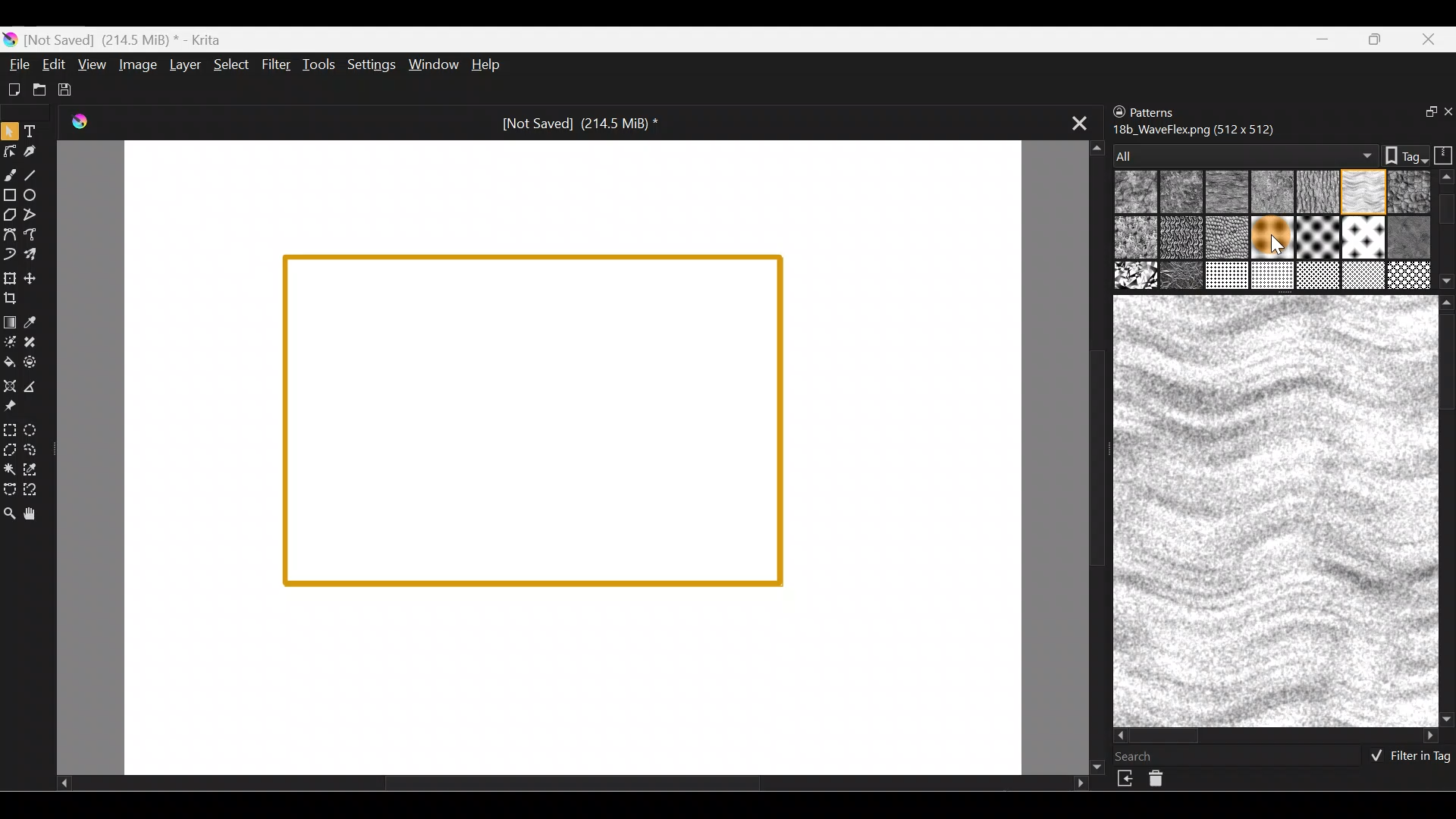 The image size is (1456, 819). What do you see at coordinates (36, 472) in the screenshot?
I see `Similar colour selection tool` at bounding box center [36, 472].